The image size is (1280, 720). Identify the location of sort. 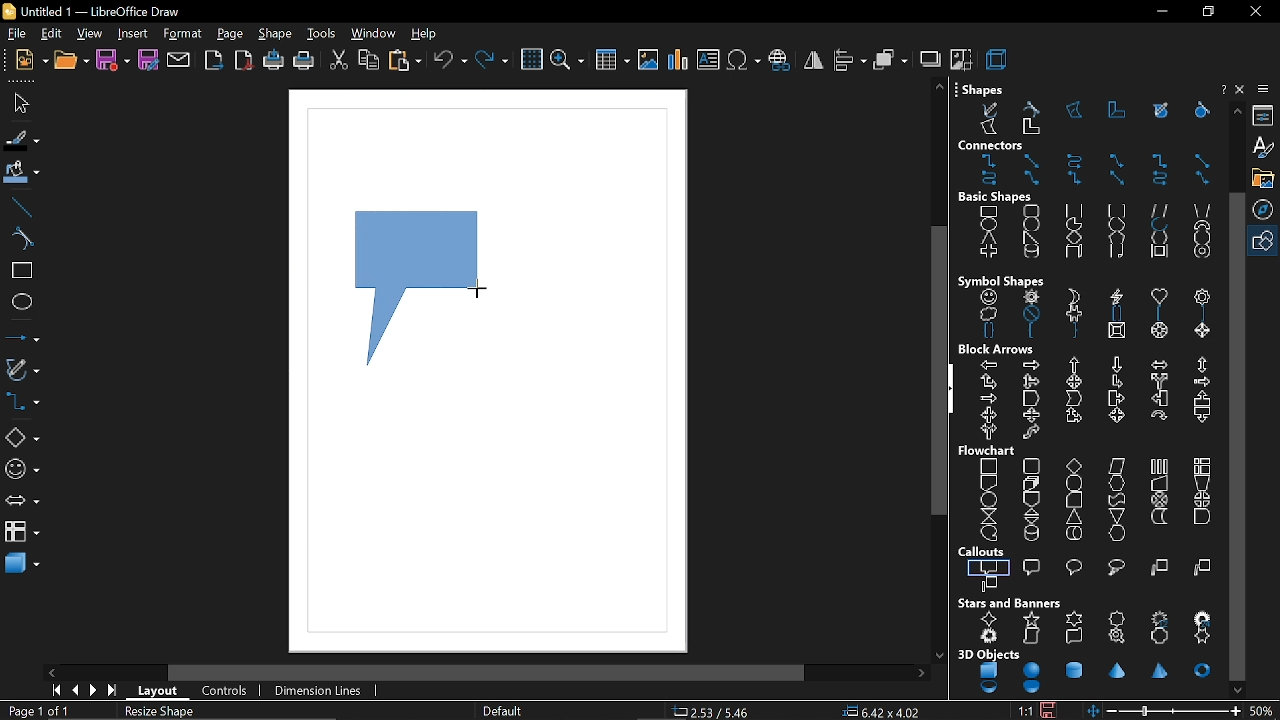
(1030, 516).